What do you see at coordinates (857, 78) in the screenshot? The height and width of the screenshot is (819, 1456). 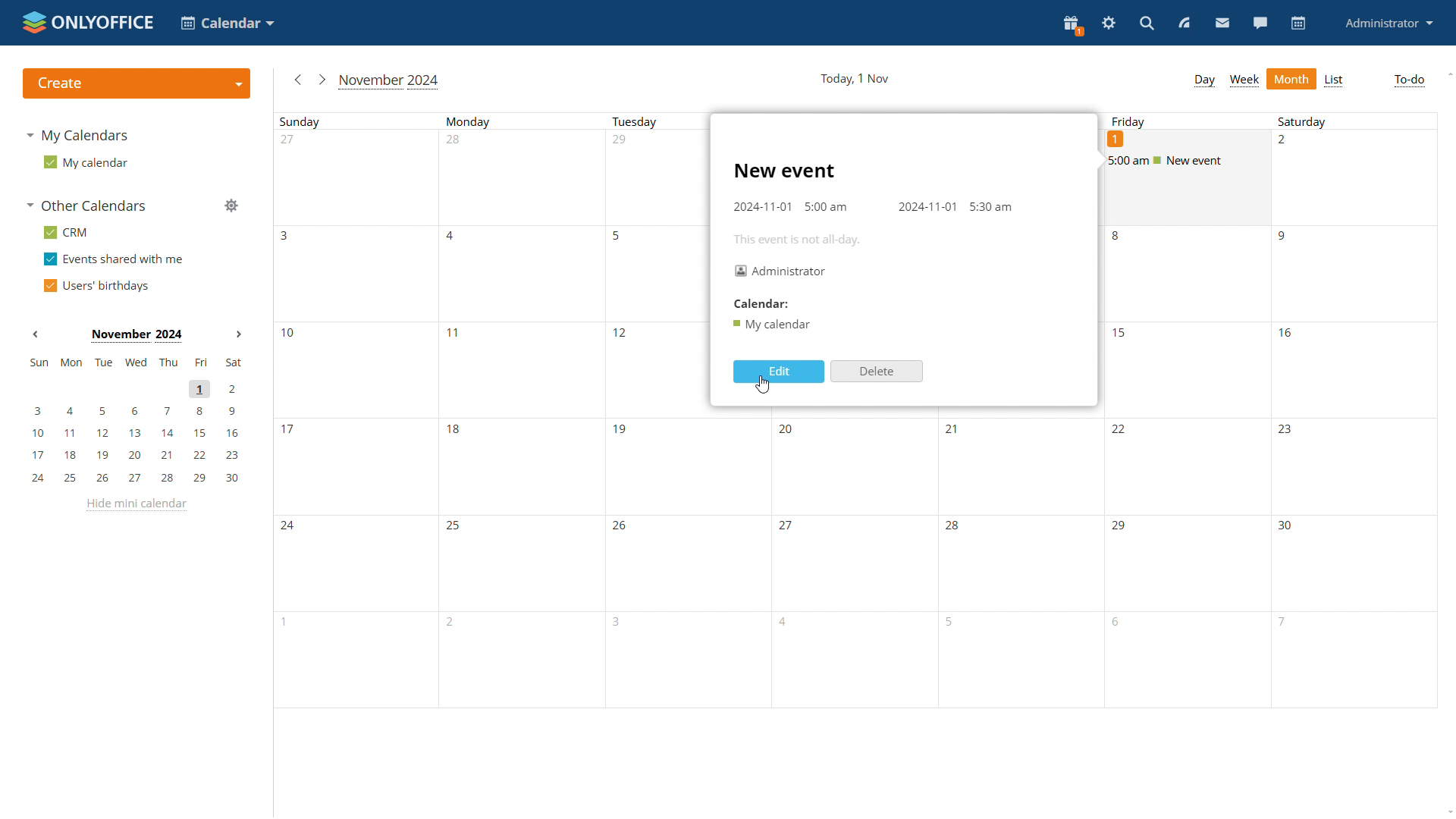 I see `current date` at bounding box center [857, 78].